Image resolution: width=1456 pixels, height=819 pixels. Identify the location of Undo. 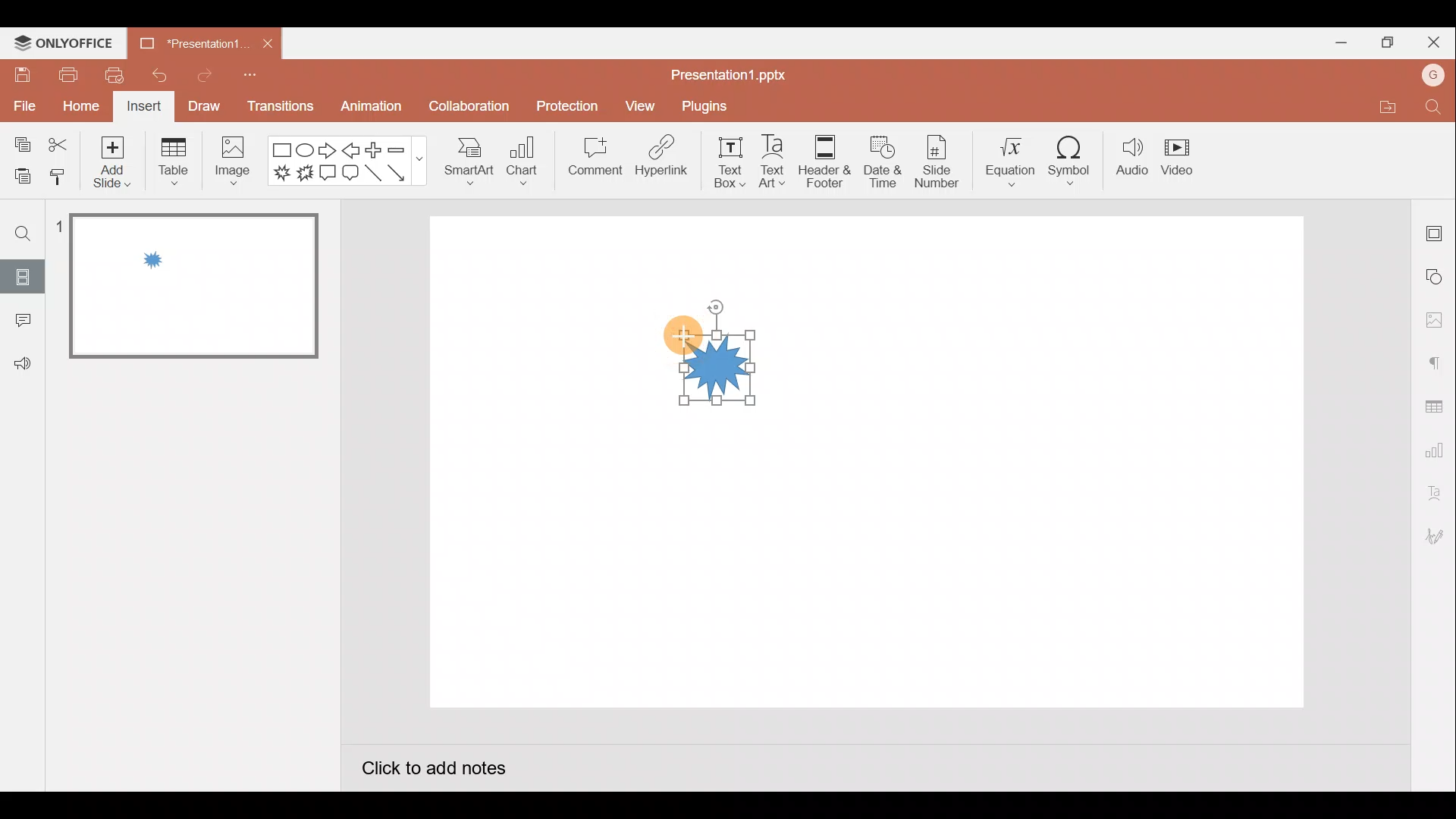
(158, 73).